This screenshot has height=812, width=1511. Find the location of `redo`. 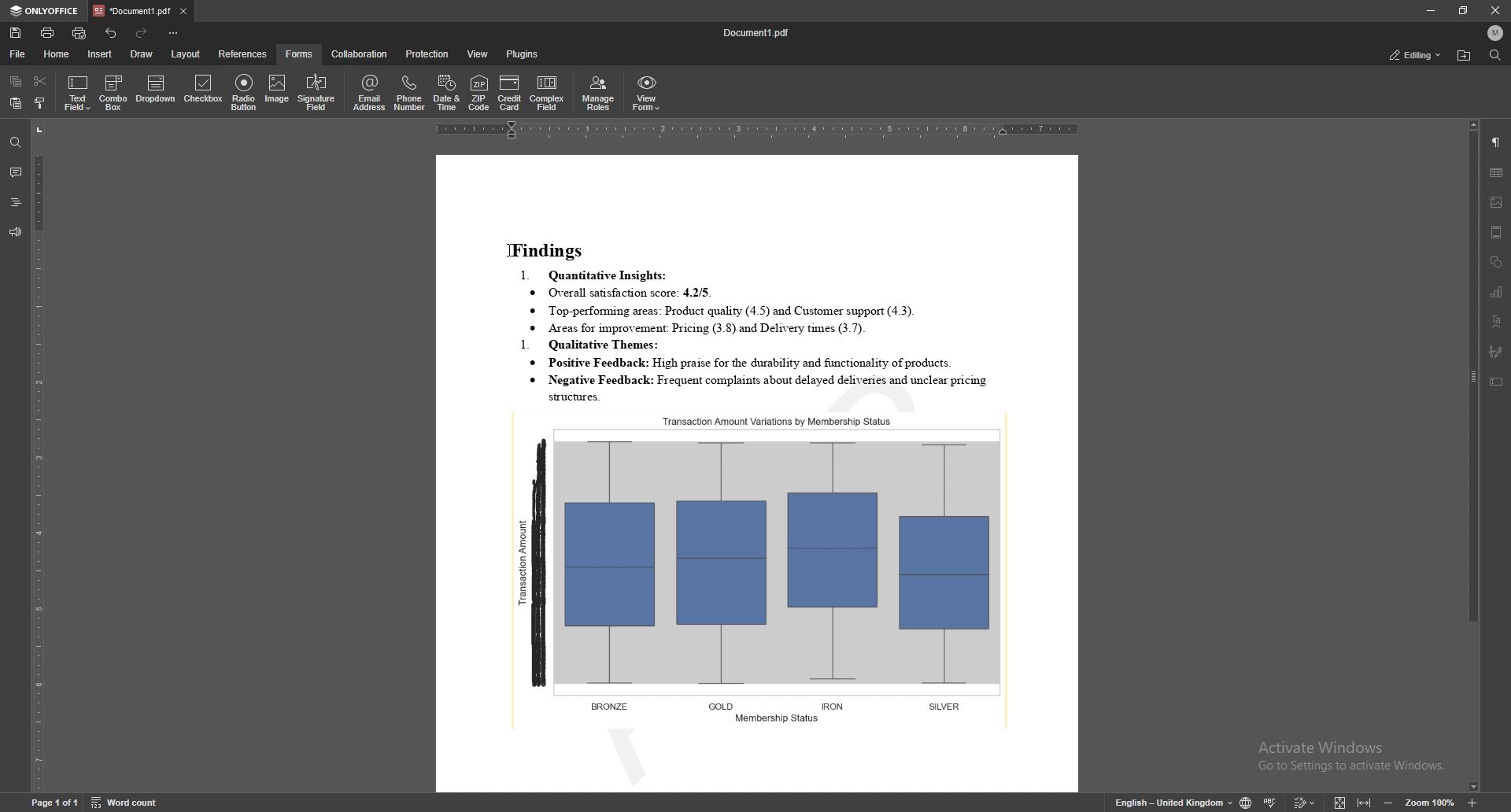

redo is located at coordinates (143, 34).